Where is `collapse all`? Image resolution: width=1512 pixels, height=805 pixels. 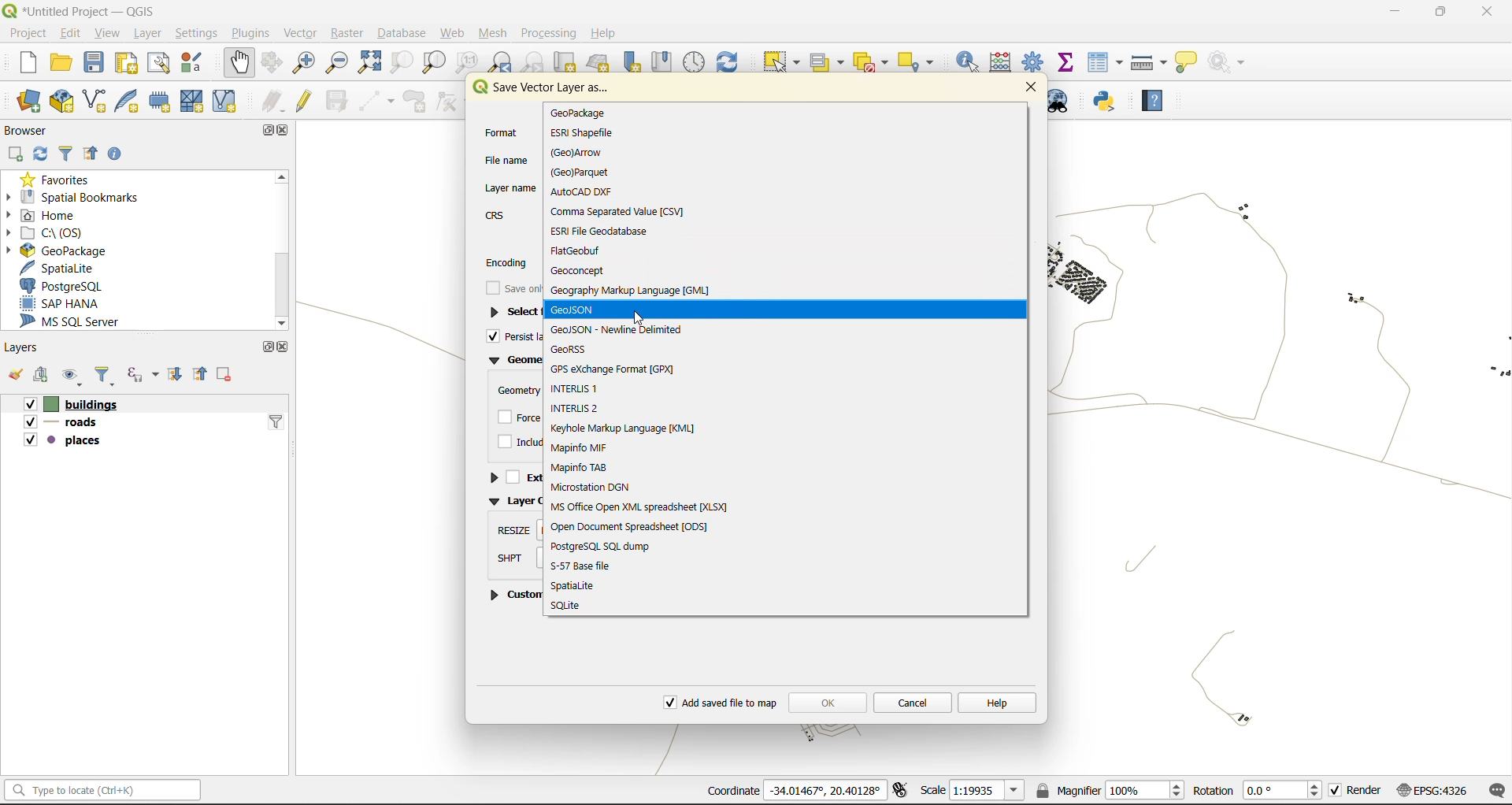 collapse all is located at coordinates (203, 374).